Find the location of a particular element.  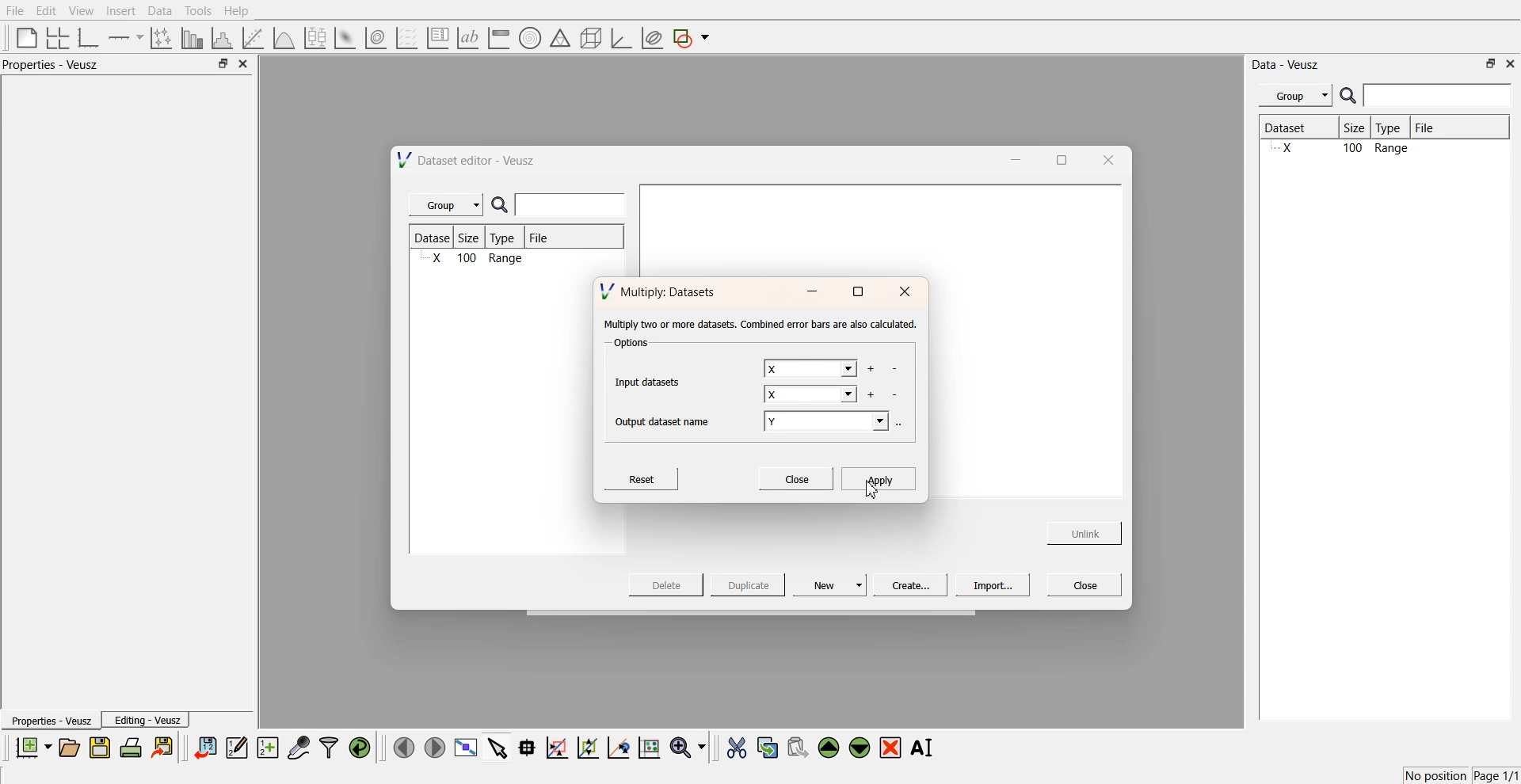

Input datasets is located at coordinates (651, 380).